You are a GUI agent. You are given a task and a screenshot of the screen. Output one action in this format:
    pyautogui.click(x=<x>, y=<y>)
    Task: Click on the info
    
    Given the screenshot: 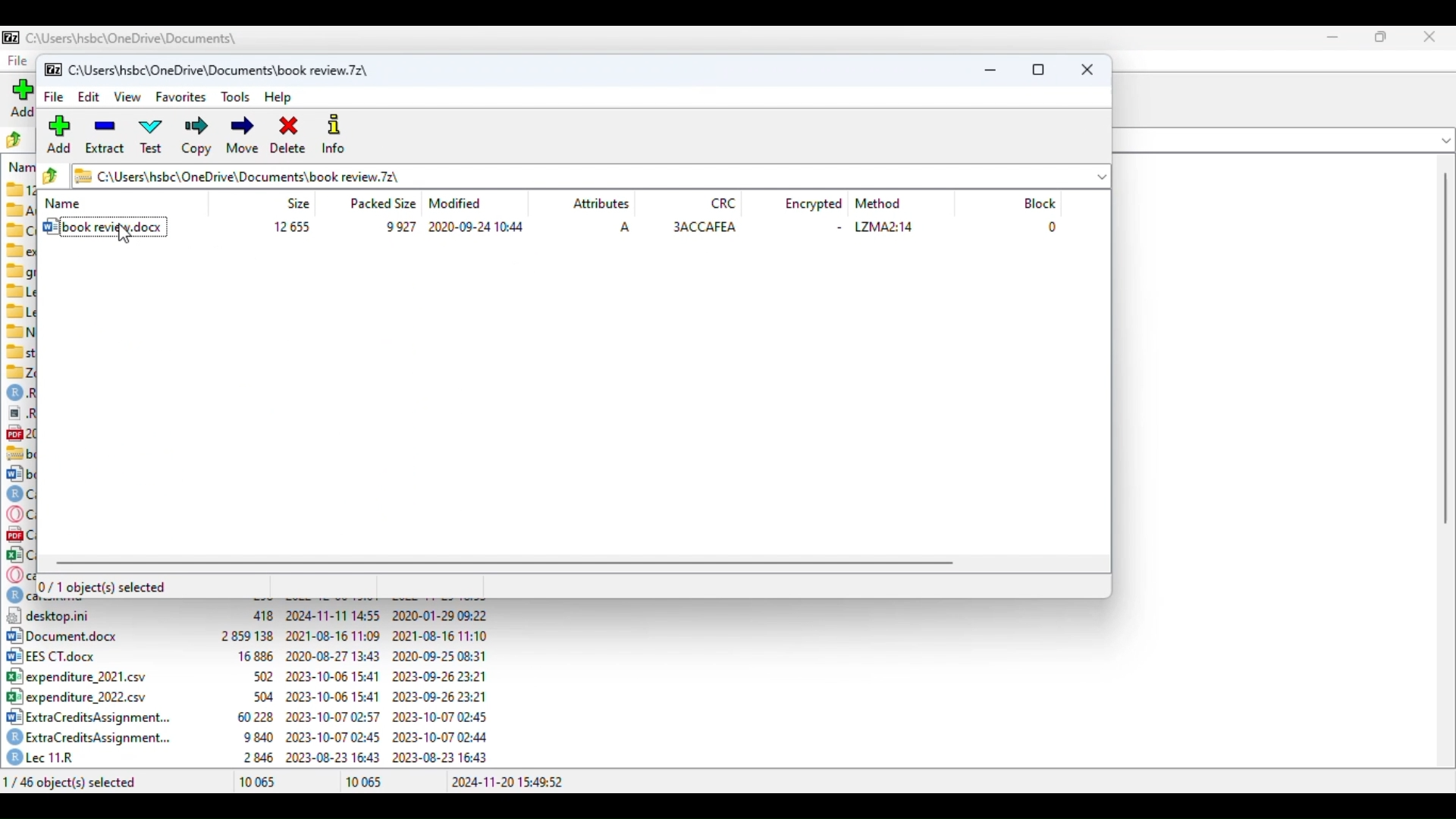 What is the action you would take?
    pyautogui.click(x=334, y=136)
    